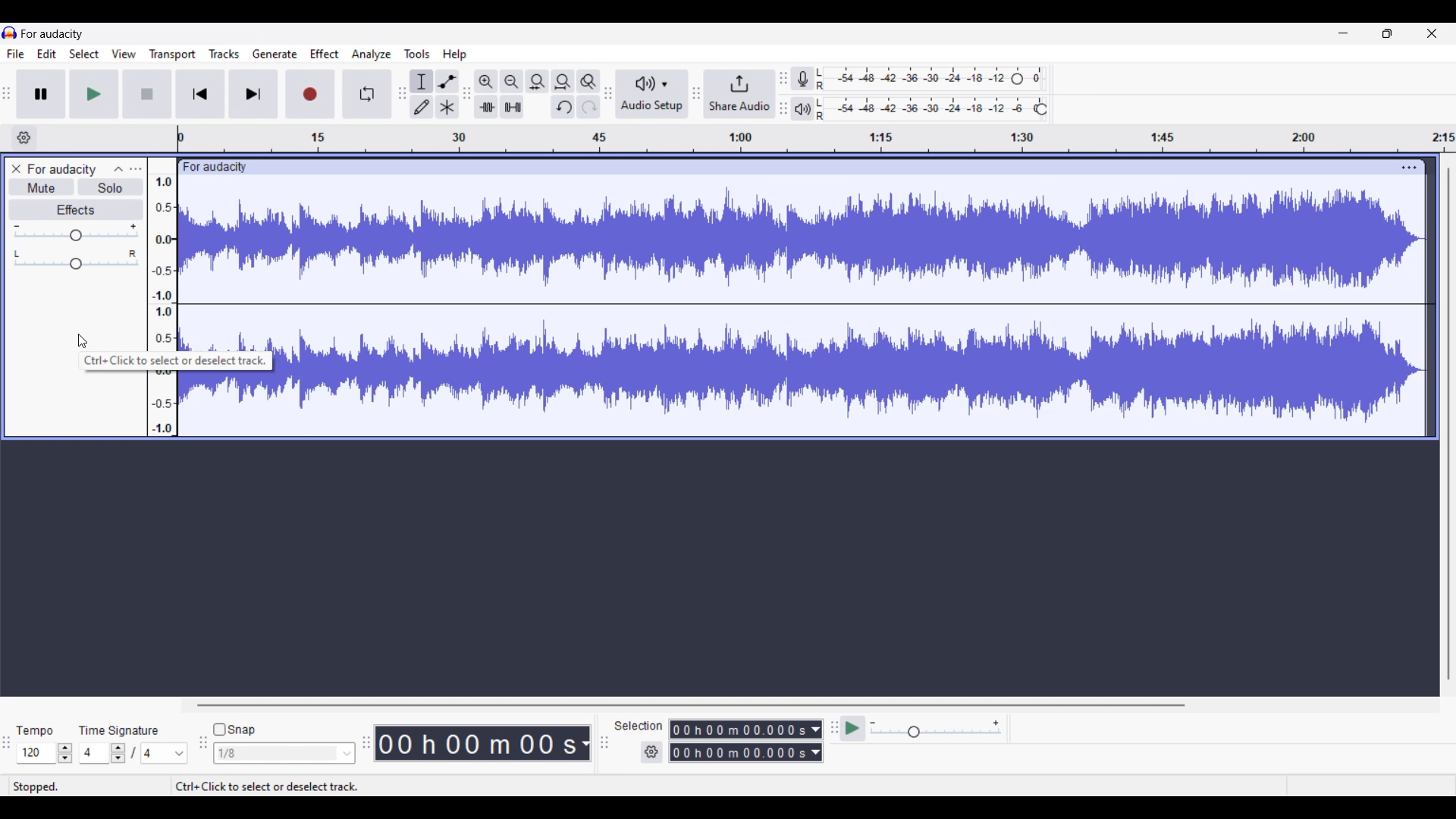  I want to click on Track settings, so click(1410, 168).